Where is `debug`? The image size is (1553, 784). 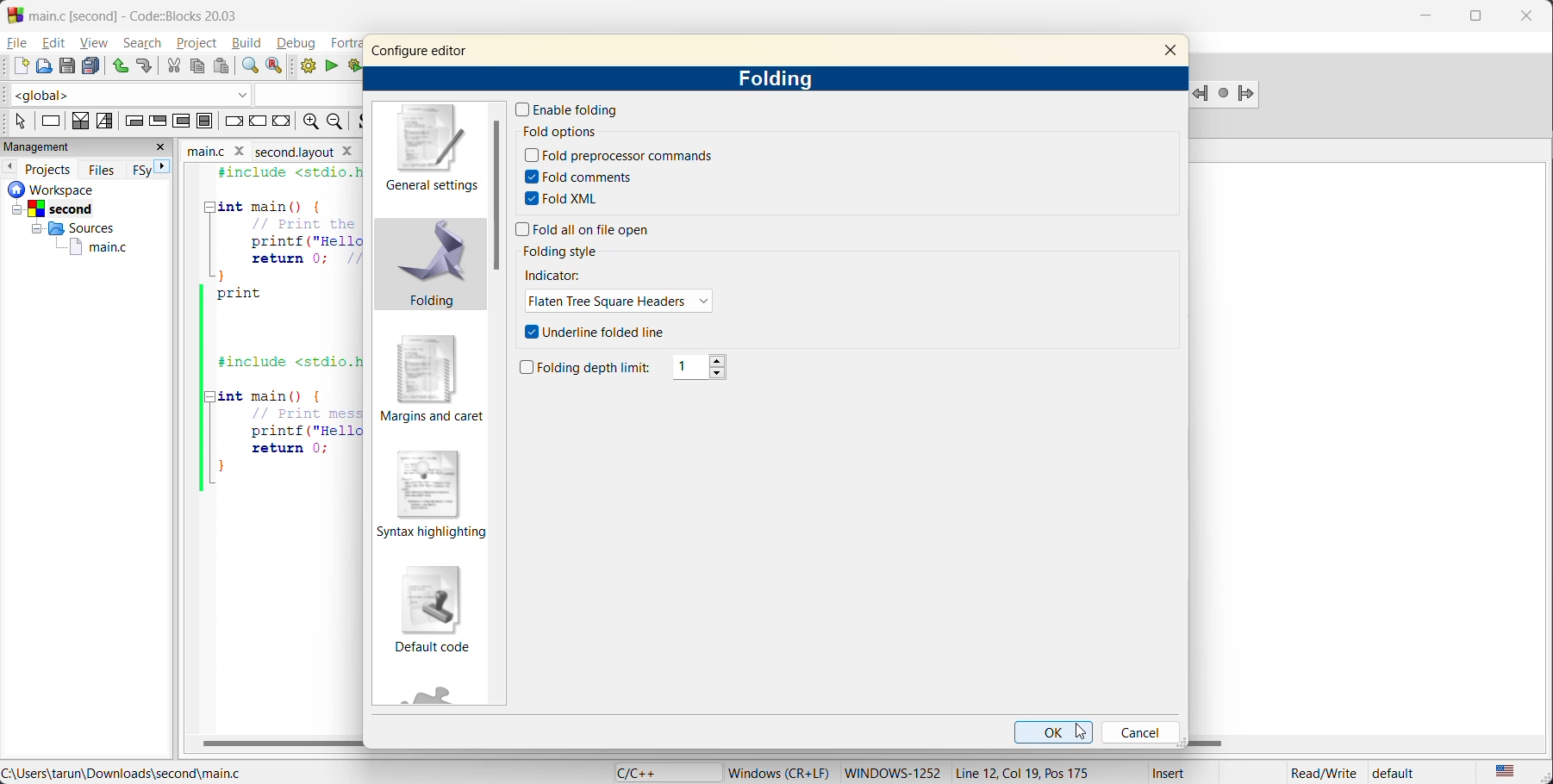 debug is located at coordinates (297, 44).